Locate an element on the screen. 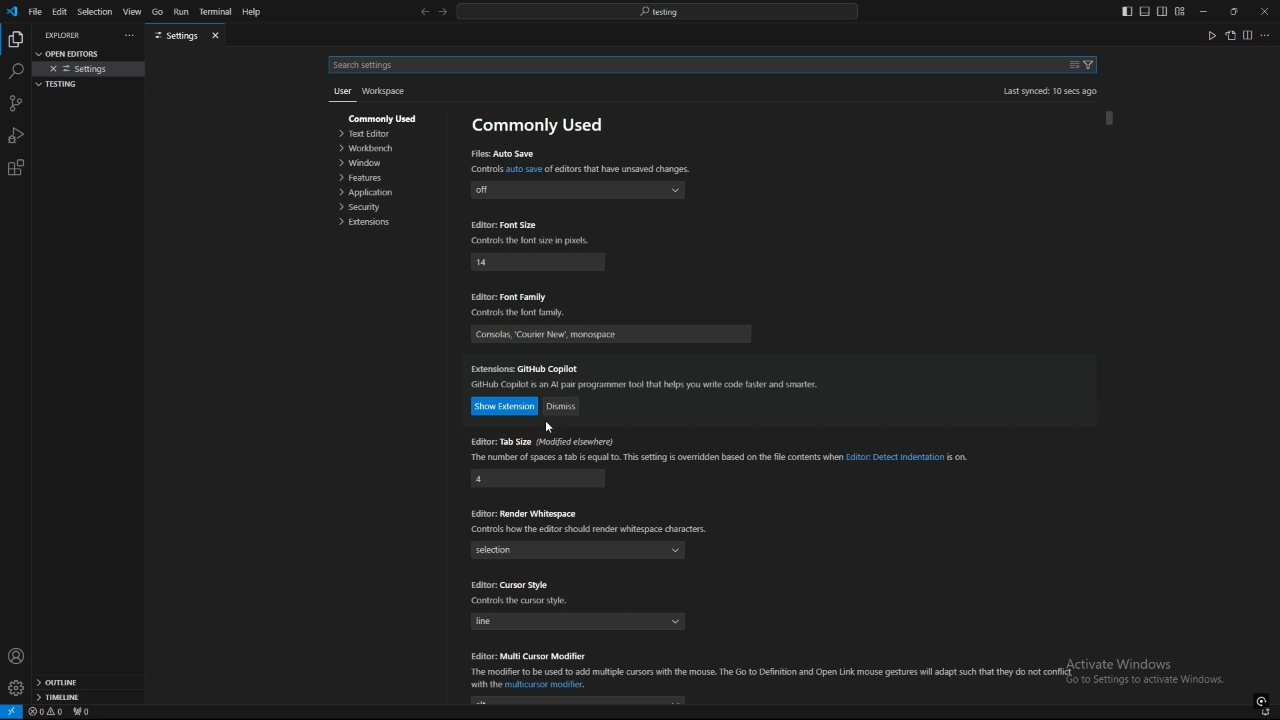 This screenshot has height=720, width=1280. info is located at coordinates (719, 458).